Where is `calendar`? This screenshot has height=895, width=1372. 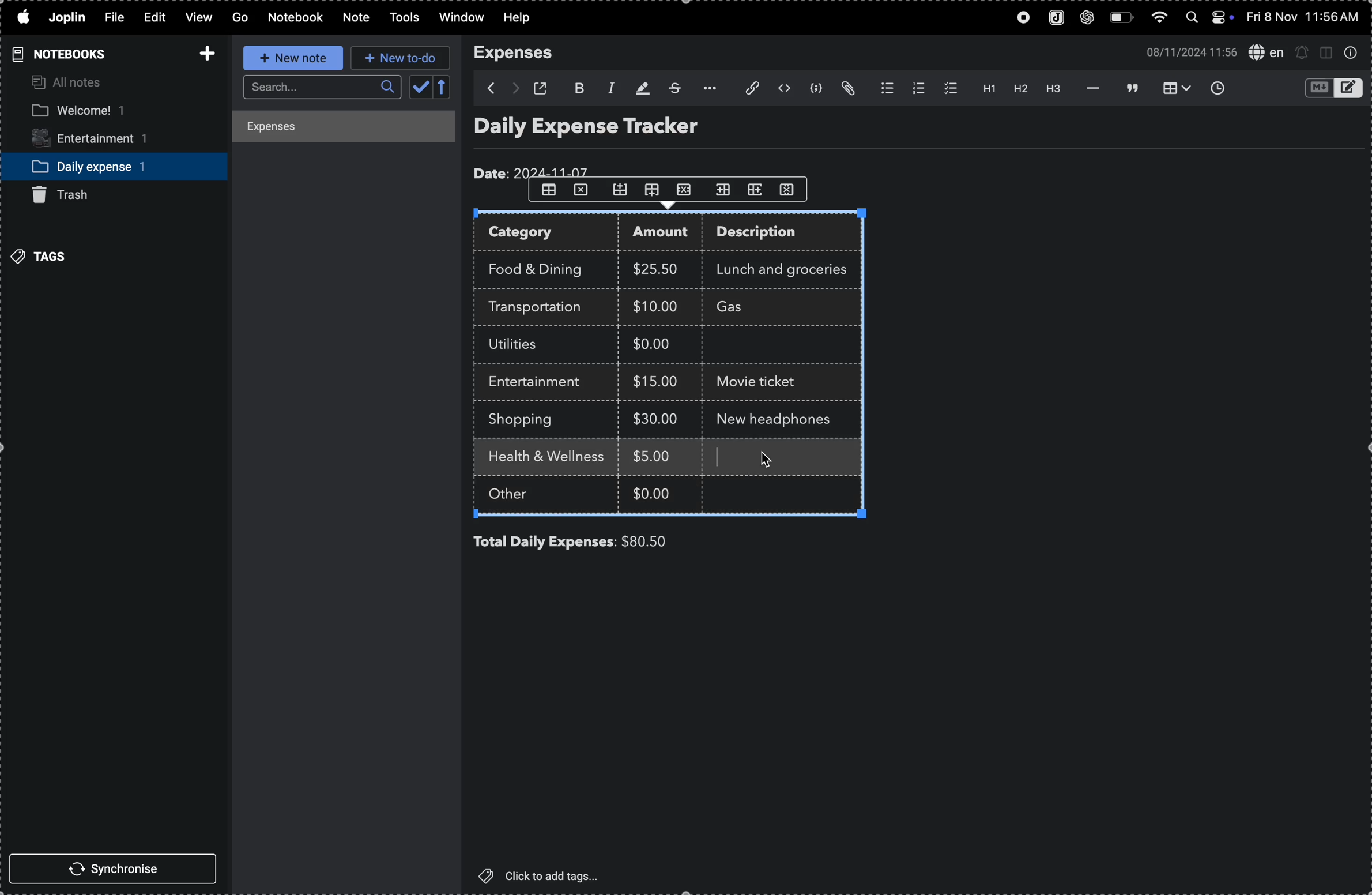 calendar is located at coordinates (431, 88).